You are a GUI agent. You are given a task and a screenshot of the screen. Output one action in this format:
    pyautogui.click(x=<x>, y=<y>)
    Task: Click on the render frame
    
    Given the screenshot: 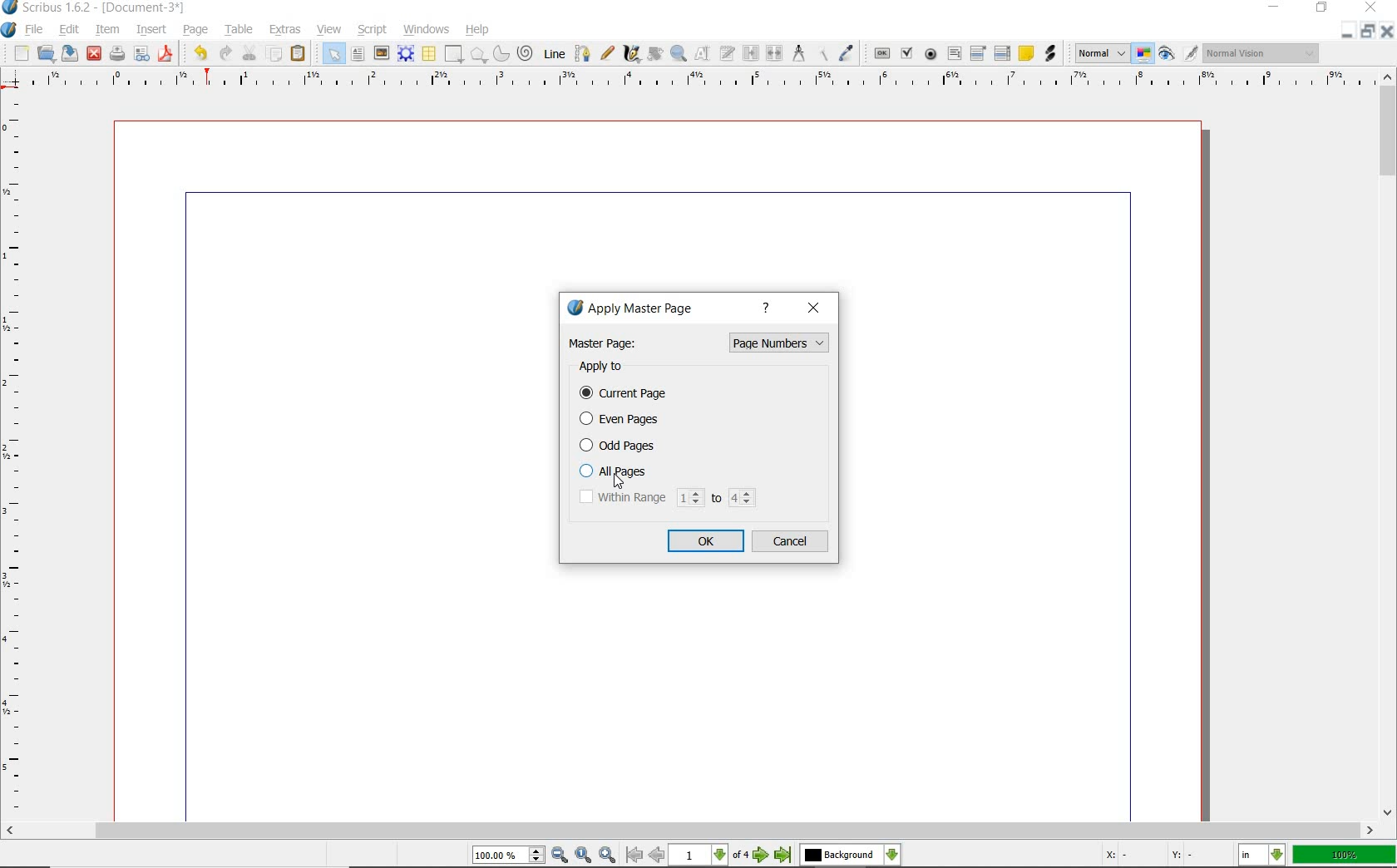 What is the action you would take?
    pyautogui.click(x=405, y=54)
    